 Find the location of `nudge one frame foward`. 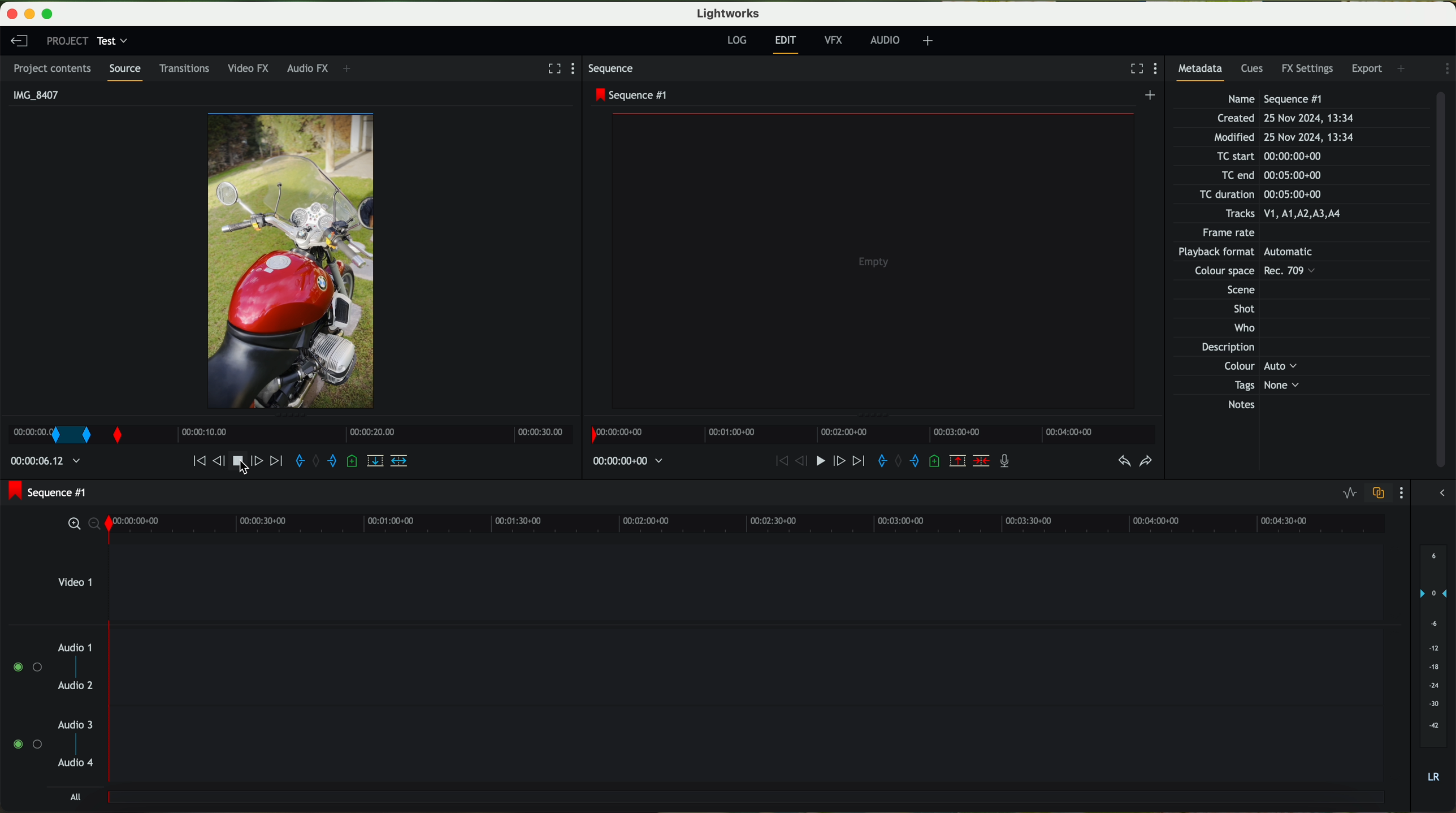

nudge one frame foward is located at coordinates (836, 461).